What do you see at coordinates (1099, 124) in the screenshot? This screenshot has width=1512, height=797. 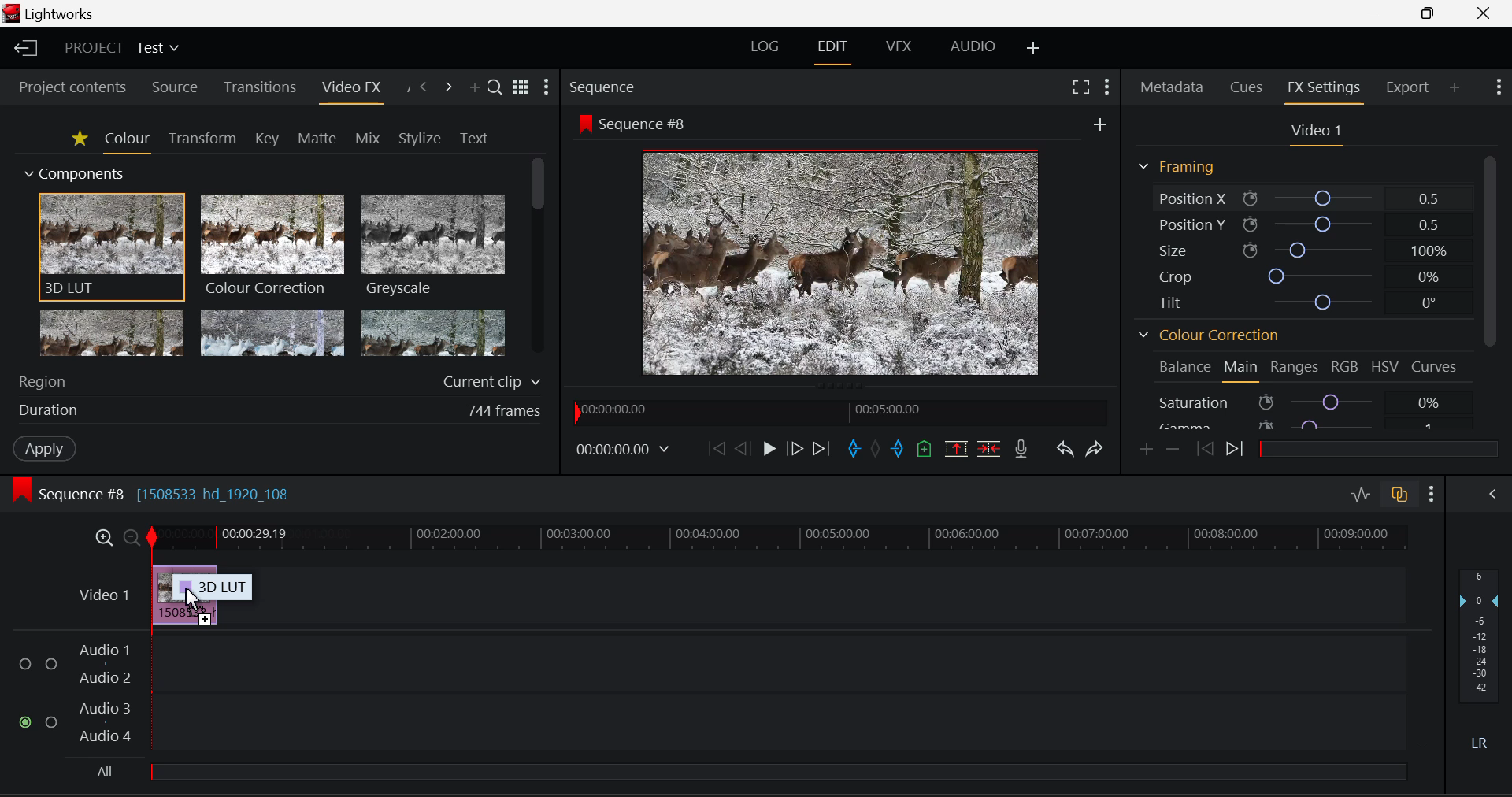 I see `` at bounding box center [1099, 124].